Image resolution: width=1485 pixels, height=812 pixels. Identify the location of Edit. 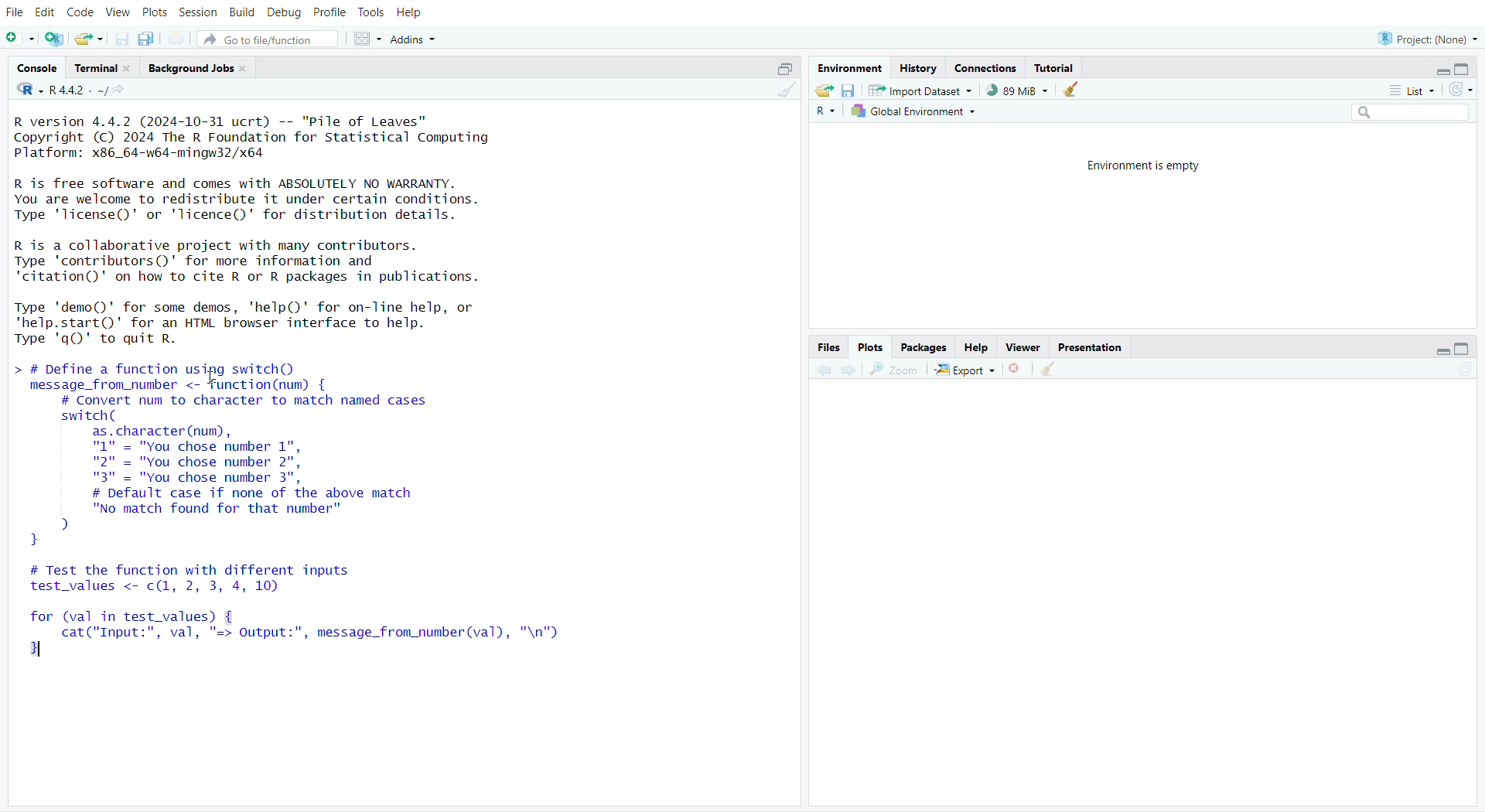
(44, 13).